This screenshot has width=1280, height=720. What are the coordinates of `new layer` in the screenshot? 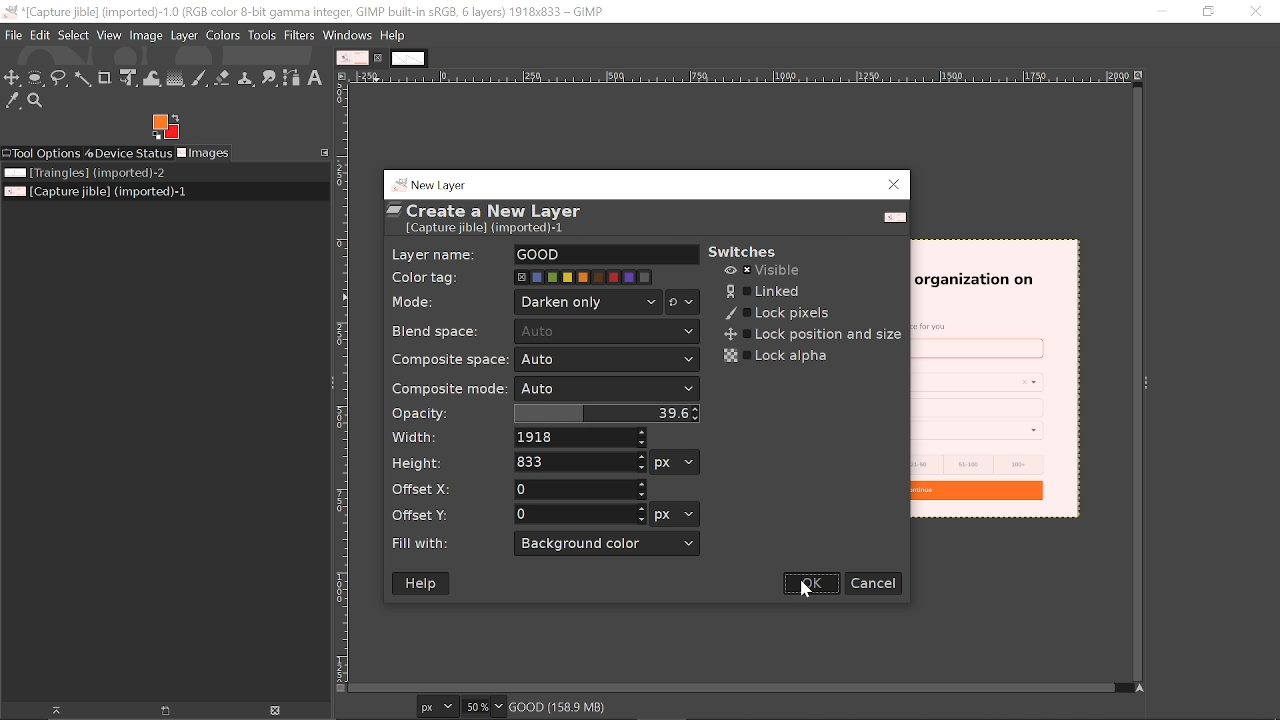 It's located at (432, 183).